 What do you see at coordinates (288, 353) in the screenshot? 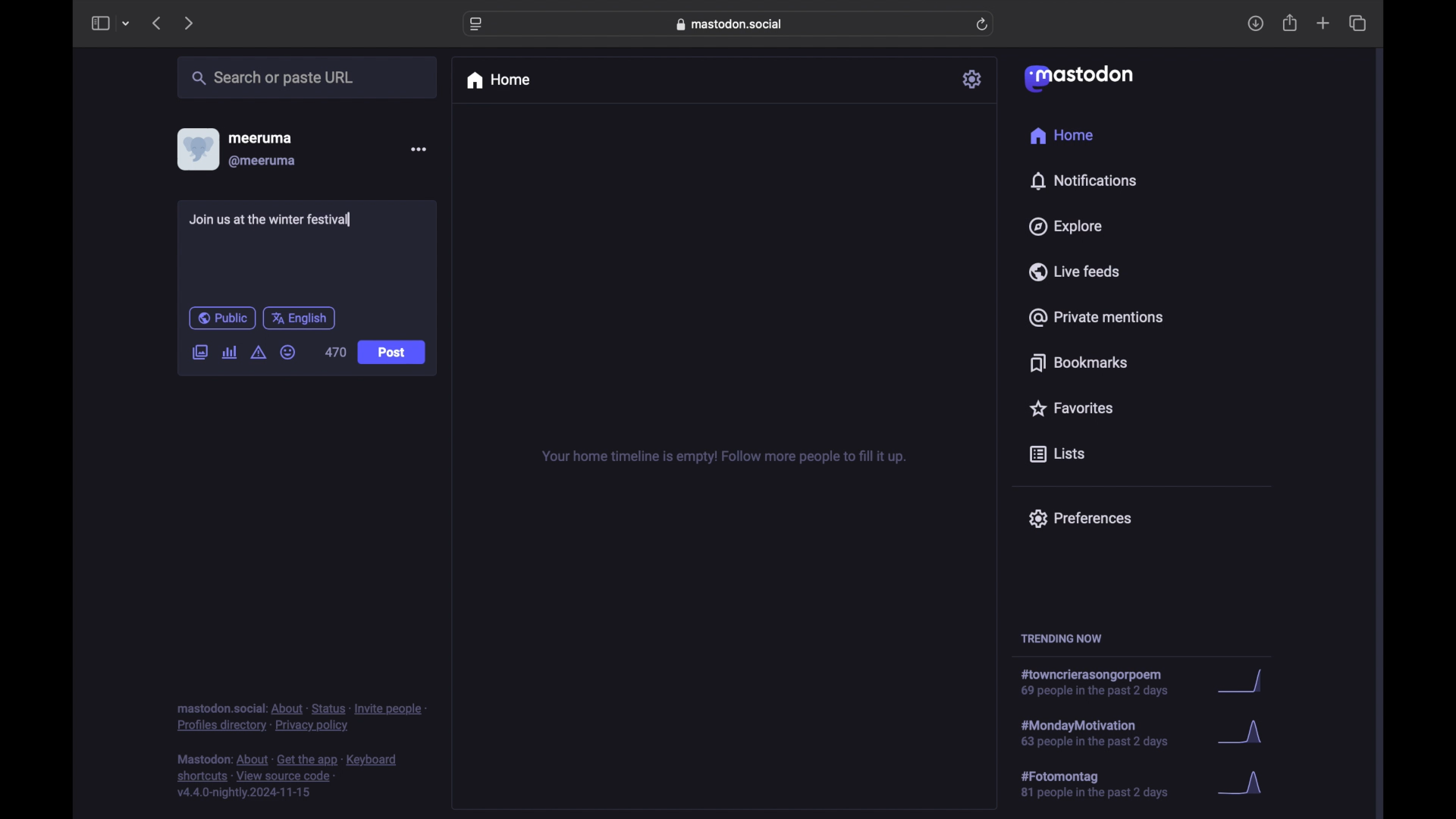
I see `emoji` at bounding box center [288, 353].